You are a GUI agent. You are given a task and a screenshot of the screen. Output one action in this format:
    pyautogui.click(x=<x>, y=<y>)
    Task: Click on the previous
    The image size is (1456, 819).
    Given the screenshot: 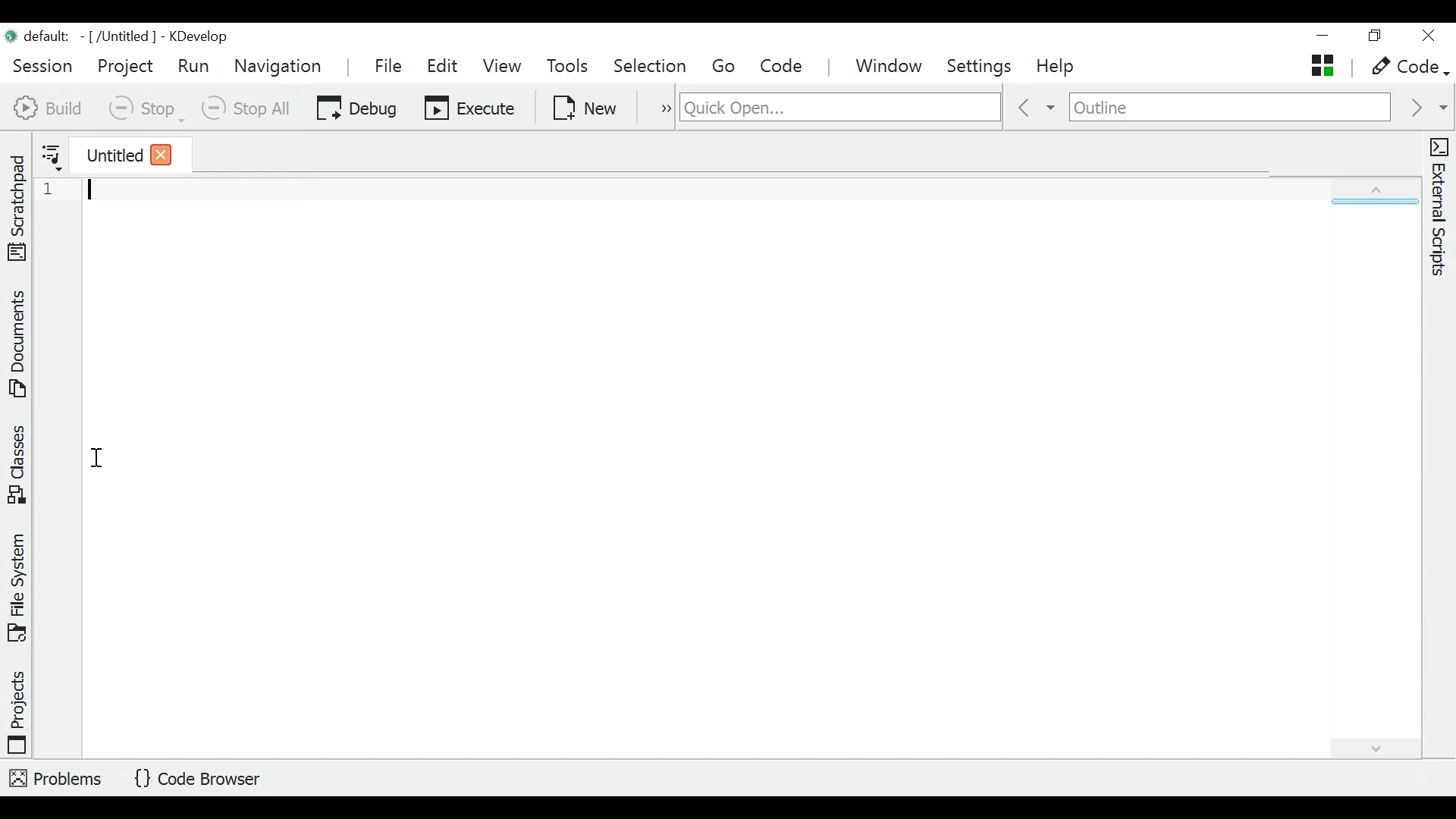 What is the action you would take?
    pyautogui.click(x=1040, y=108)
    